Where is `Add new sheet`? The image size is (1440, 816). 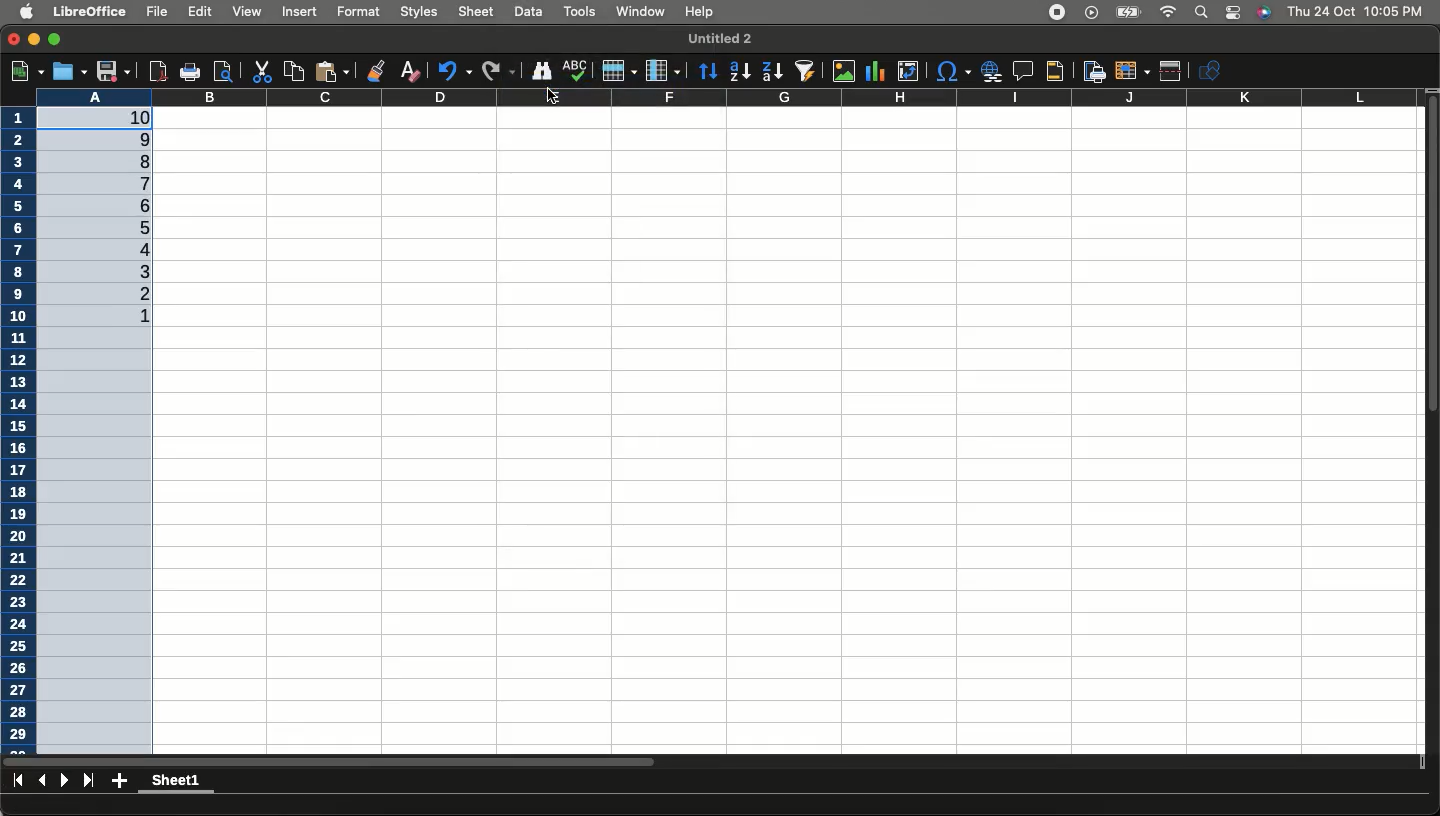
Add new sheet is located at coordinates (120, 782).